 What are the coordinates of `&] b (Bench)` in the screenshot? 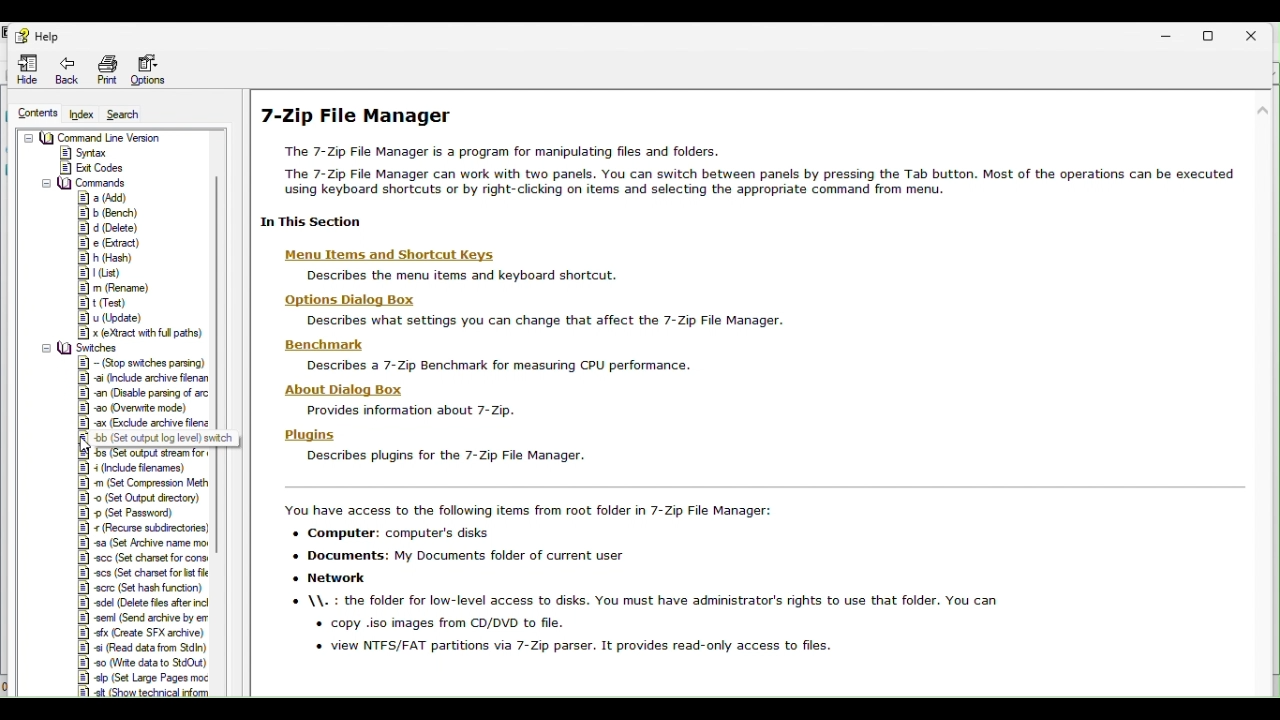 It's located at (108, 214).